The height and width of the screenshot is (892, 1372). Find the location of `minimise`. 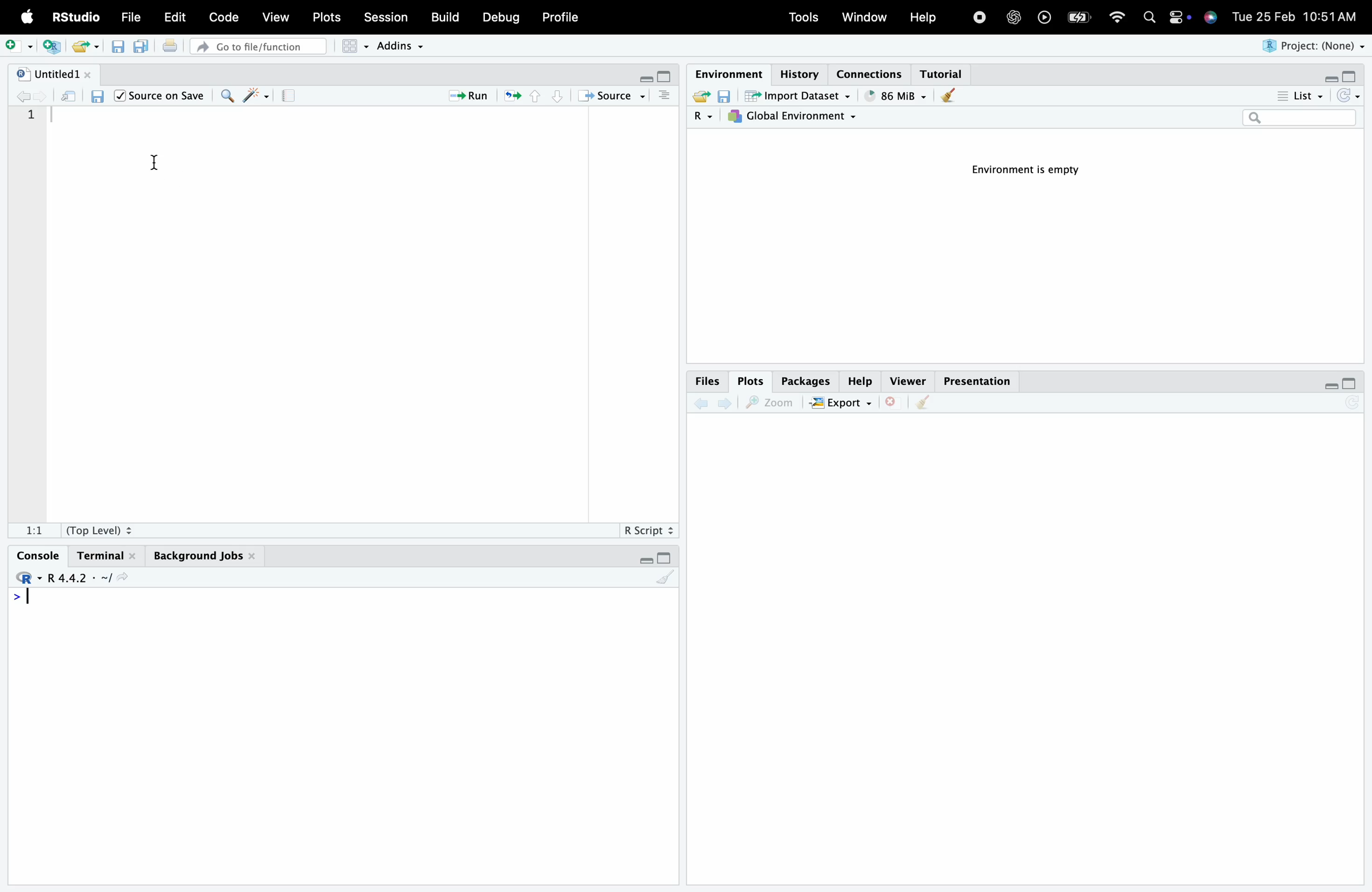

minimise is located at coordinates (643, 562).